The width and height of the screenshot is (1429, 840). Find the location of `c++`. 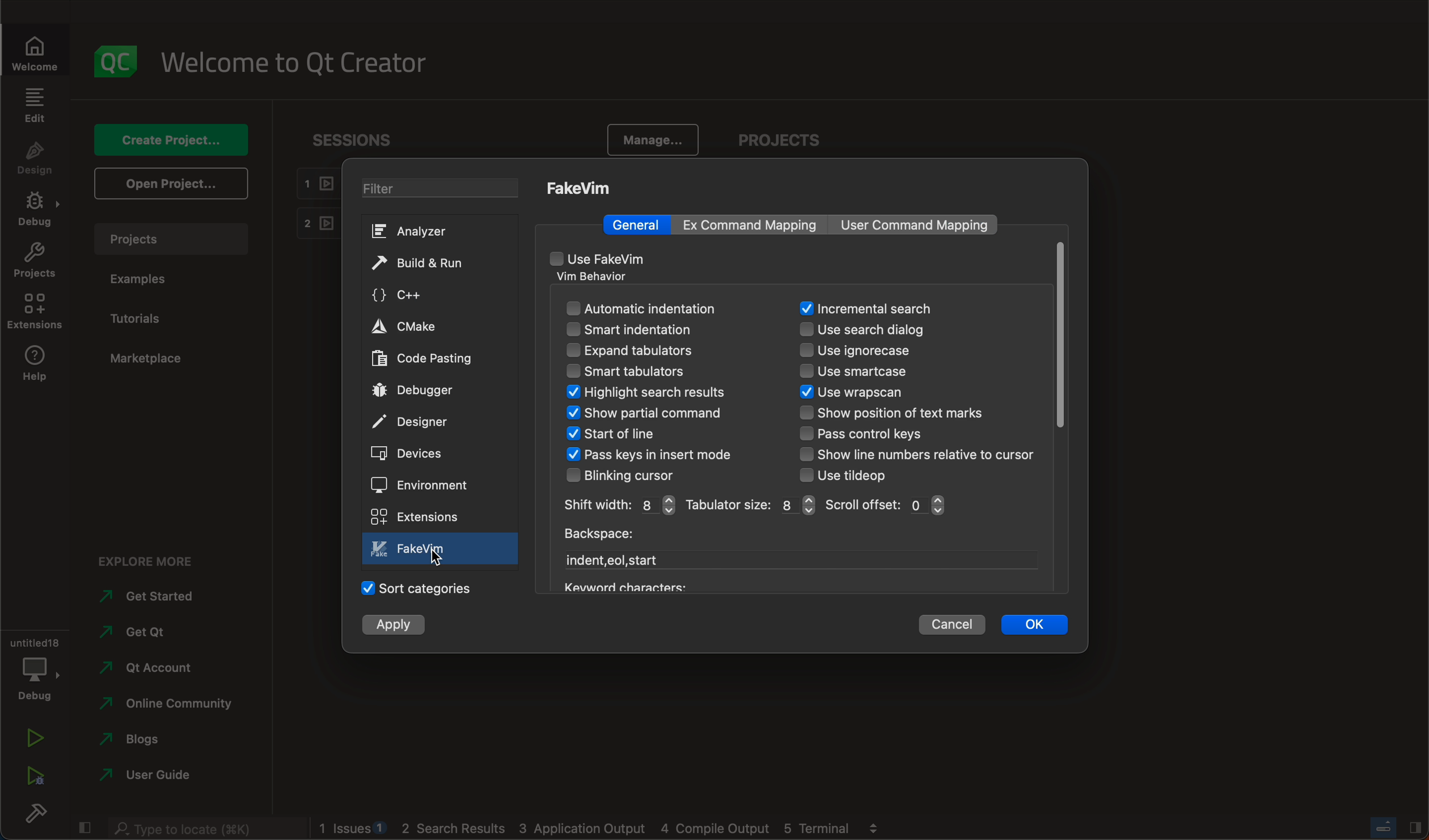

c++ is located at coordinates (426, 295).